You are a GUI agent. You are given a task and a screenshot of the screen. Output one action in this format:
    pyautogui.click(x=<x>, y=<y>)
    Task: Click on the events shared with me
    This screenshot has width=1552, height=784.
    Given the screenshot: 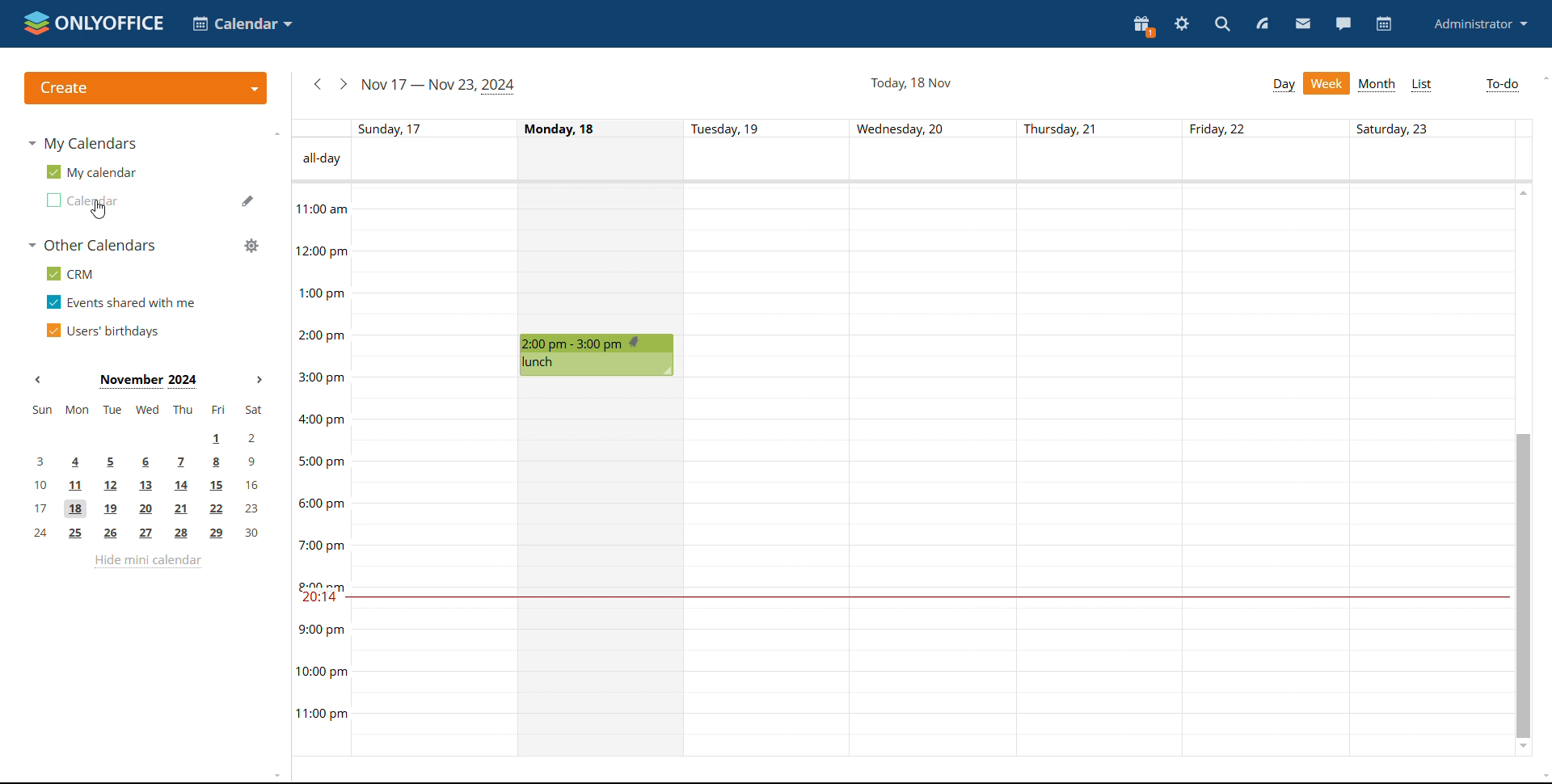 What is the action you would take?
    pyautogui.click(x=120, y=302)
    